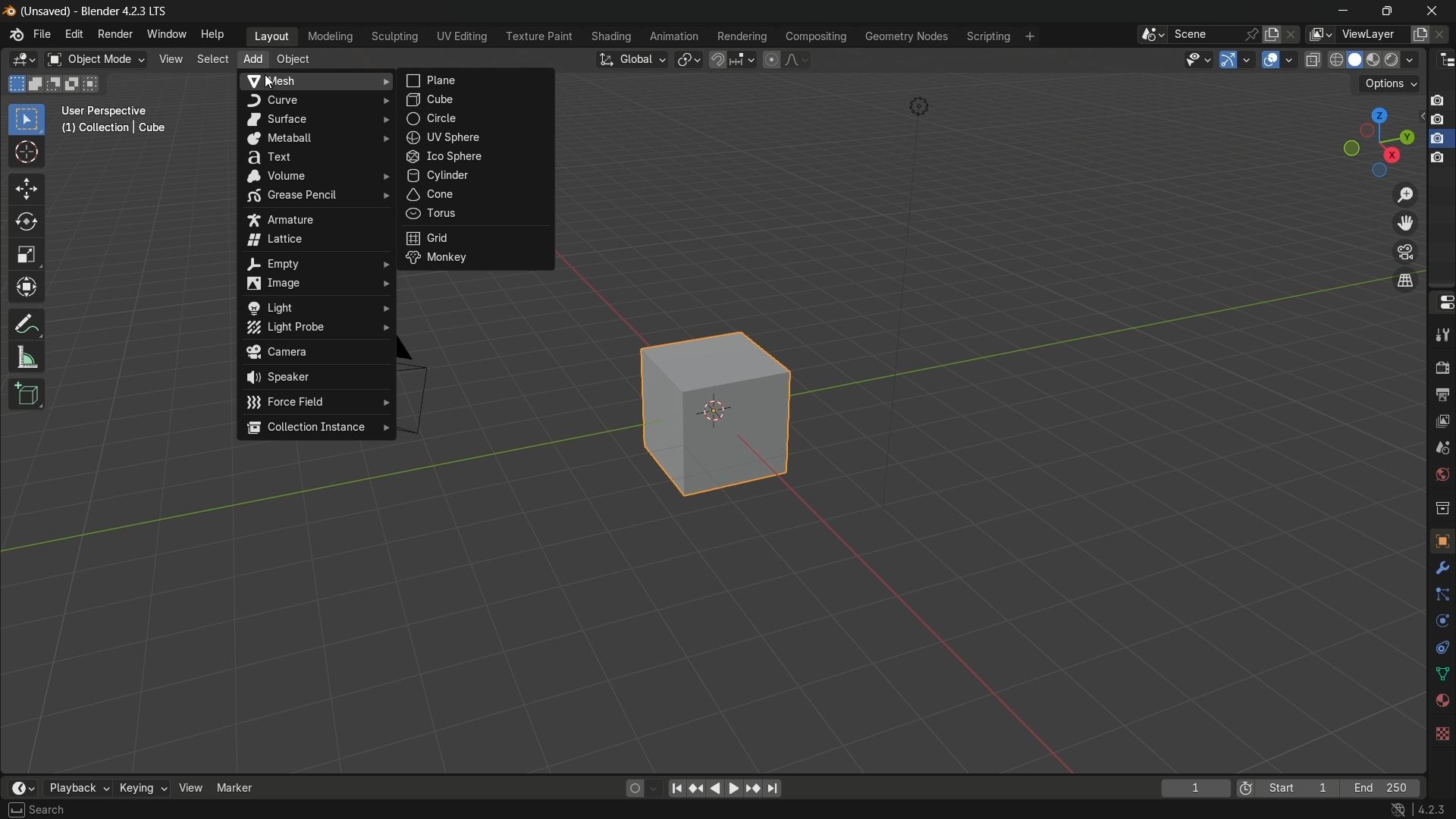 The height and width of the screenshot is (819, 1456). Describe the element at coordinates (774, 789) in the screenshot. I see `jump to endpoint` at that location.